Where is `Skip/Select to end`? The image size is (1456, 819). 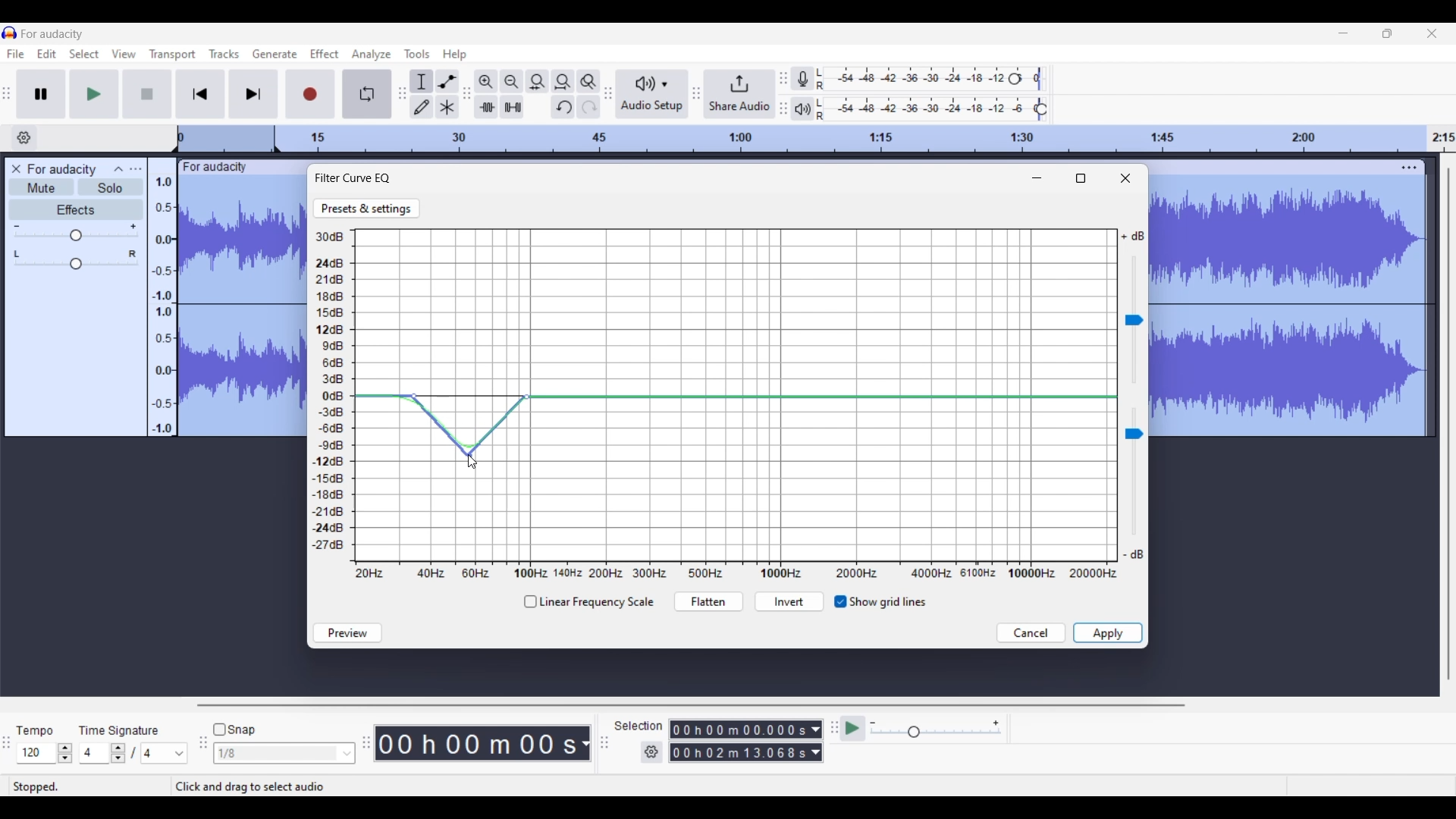 Skip/Select to end is located at coordinates (254, 94).